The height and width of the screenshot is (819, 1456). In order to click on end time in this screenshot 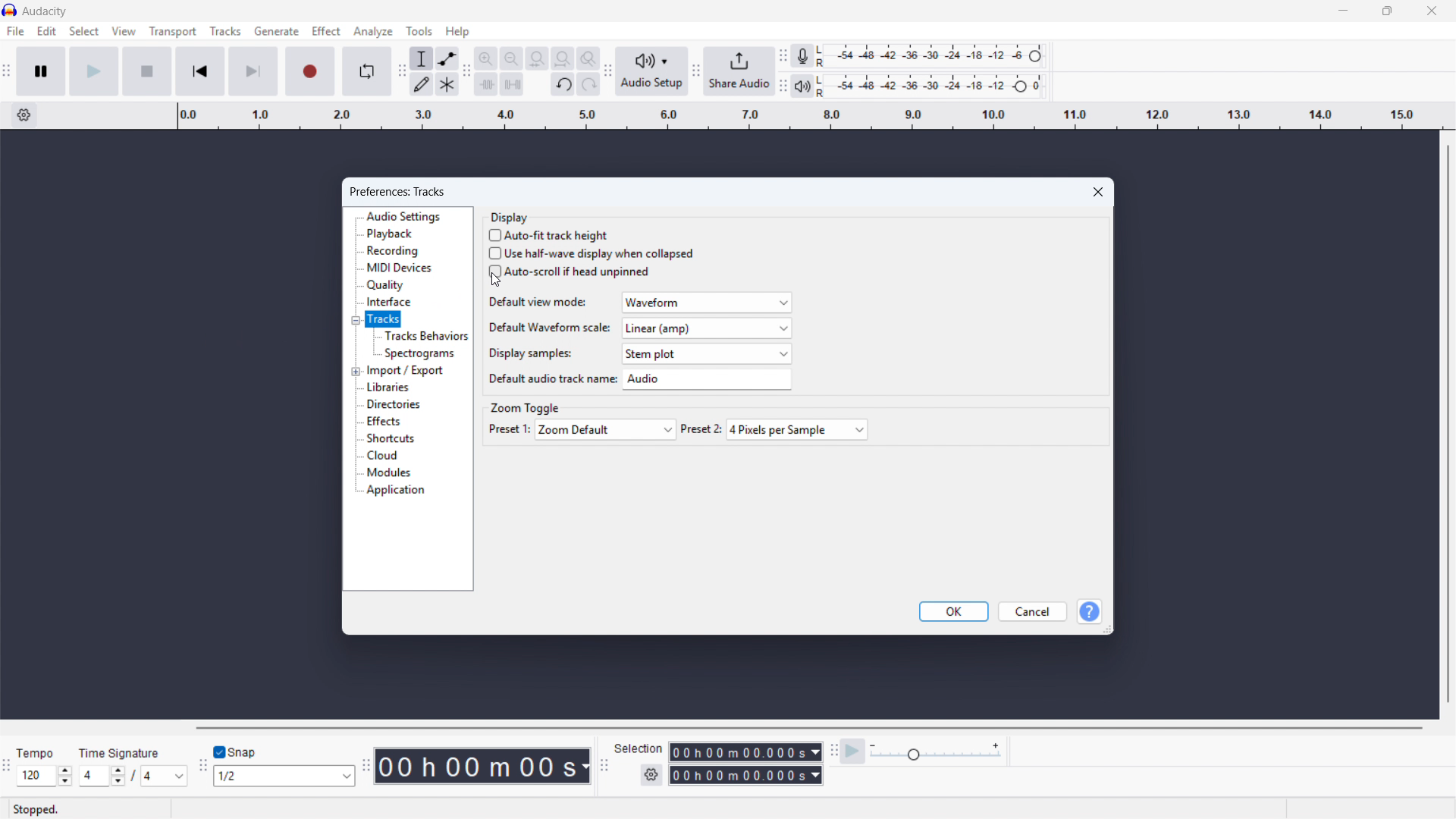, I will do `click(746, 776)`.